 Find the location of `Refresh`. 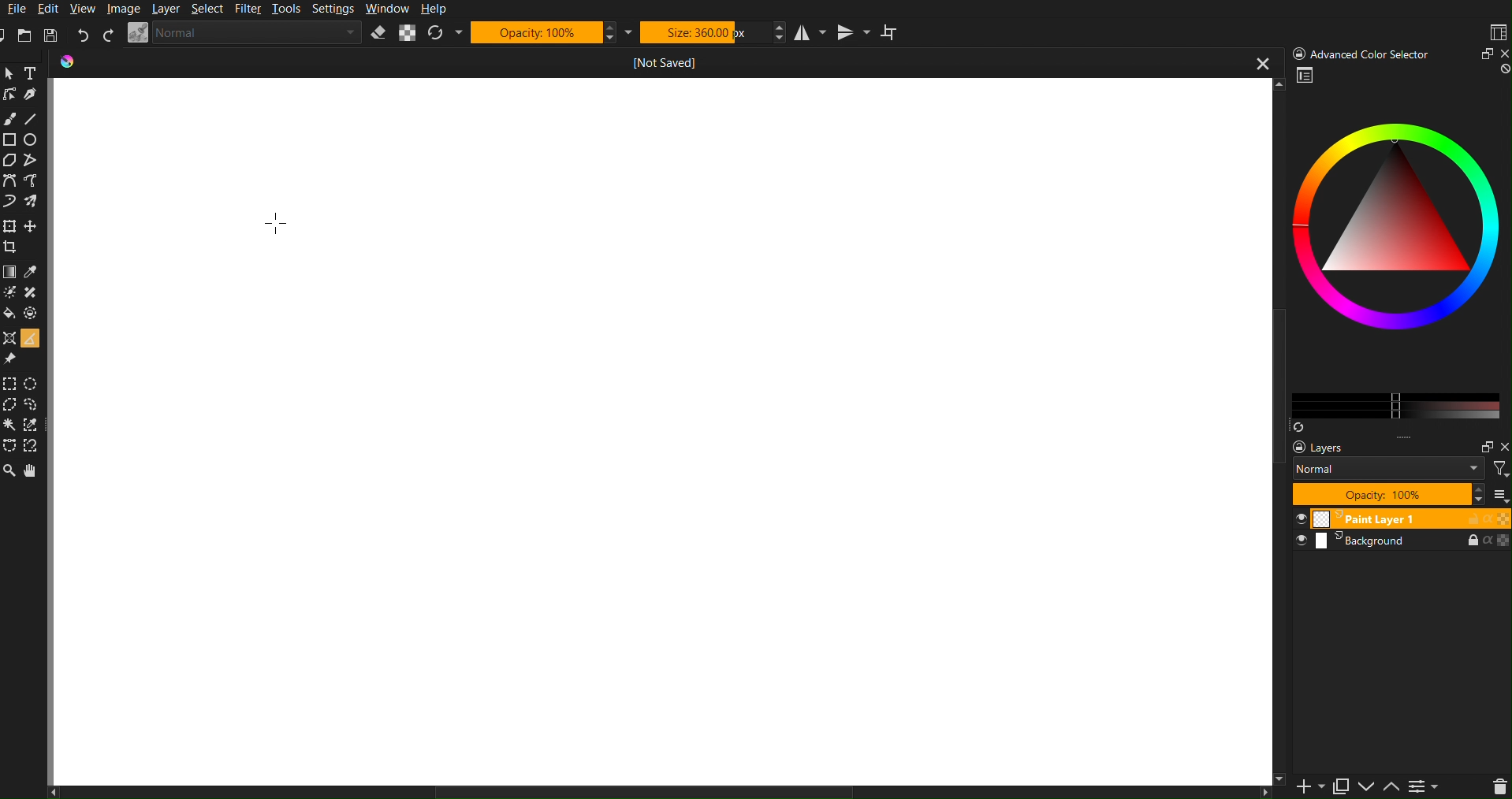

Refresh is located at coordinates (444, 33).